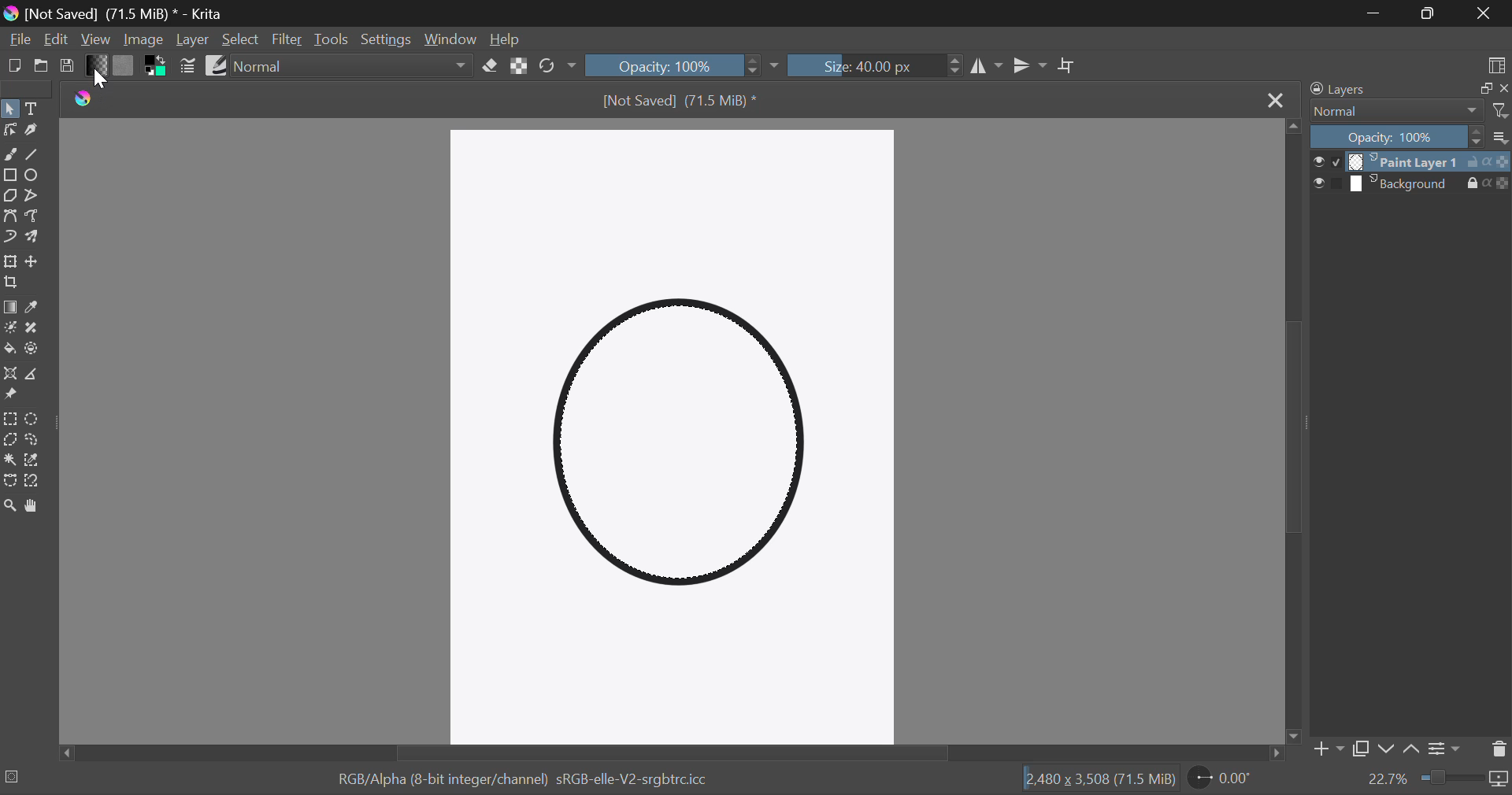 This screenshot has height=795, width=1512. Describe the element at coordinates (35, 109) in the screenshot. I see `Text` at that location.